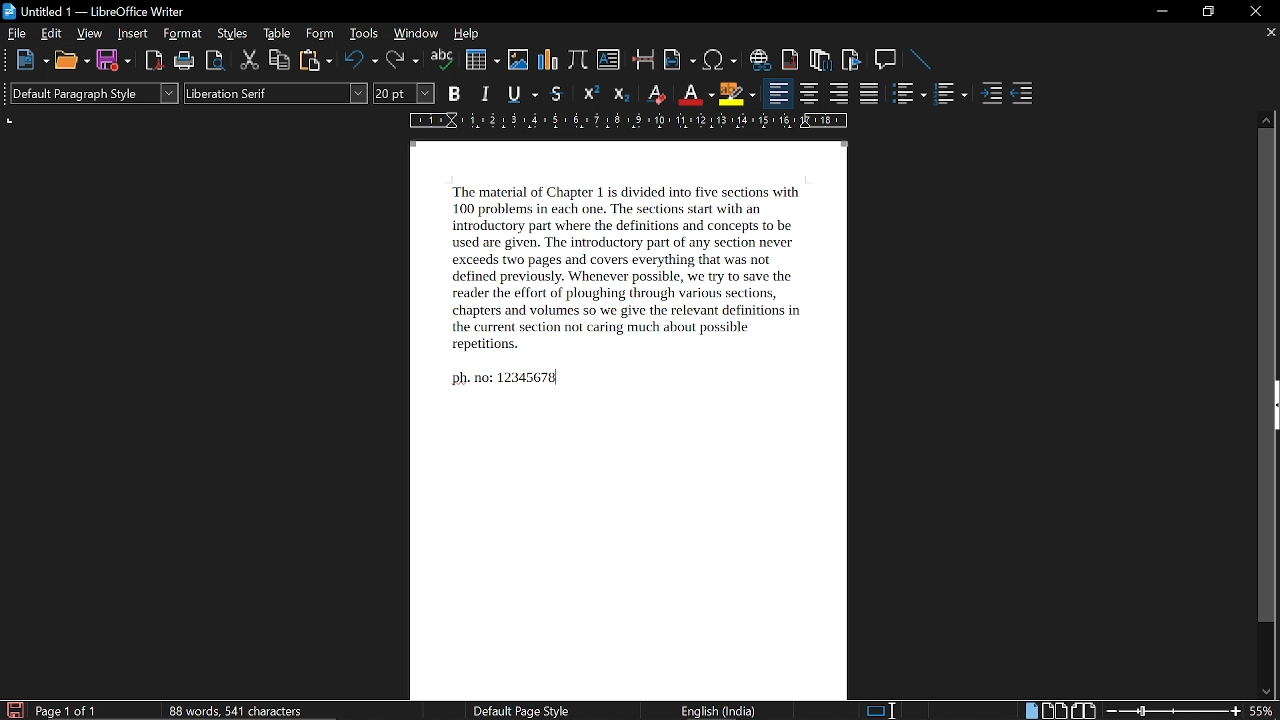 This screenshot has width=1280, height=720. Describe the element at coordinates (52, 35) in the screenshot. I see `edit` at that location.